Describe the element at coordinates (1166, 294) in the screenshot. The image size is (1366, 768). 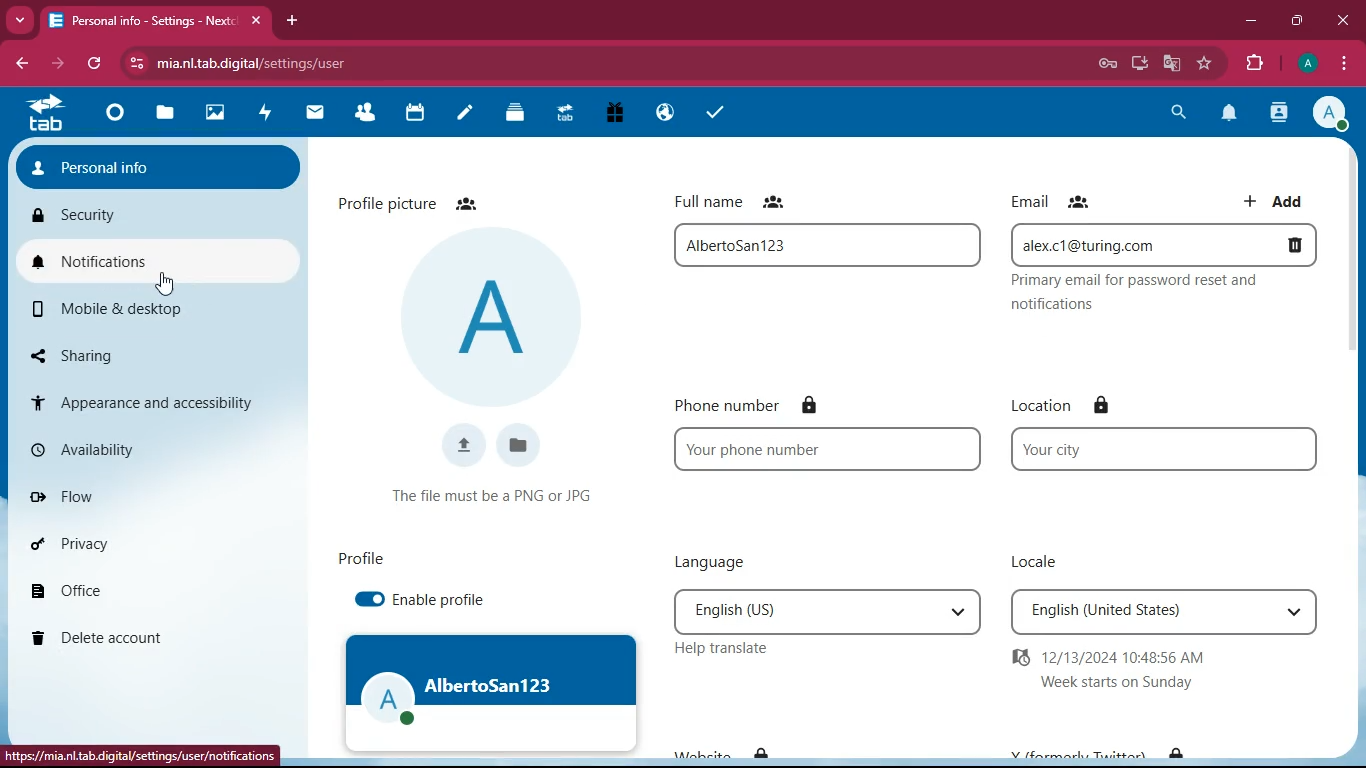
I see `Privacy email for password reset and notifications` at that location.